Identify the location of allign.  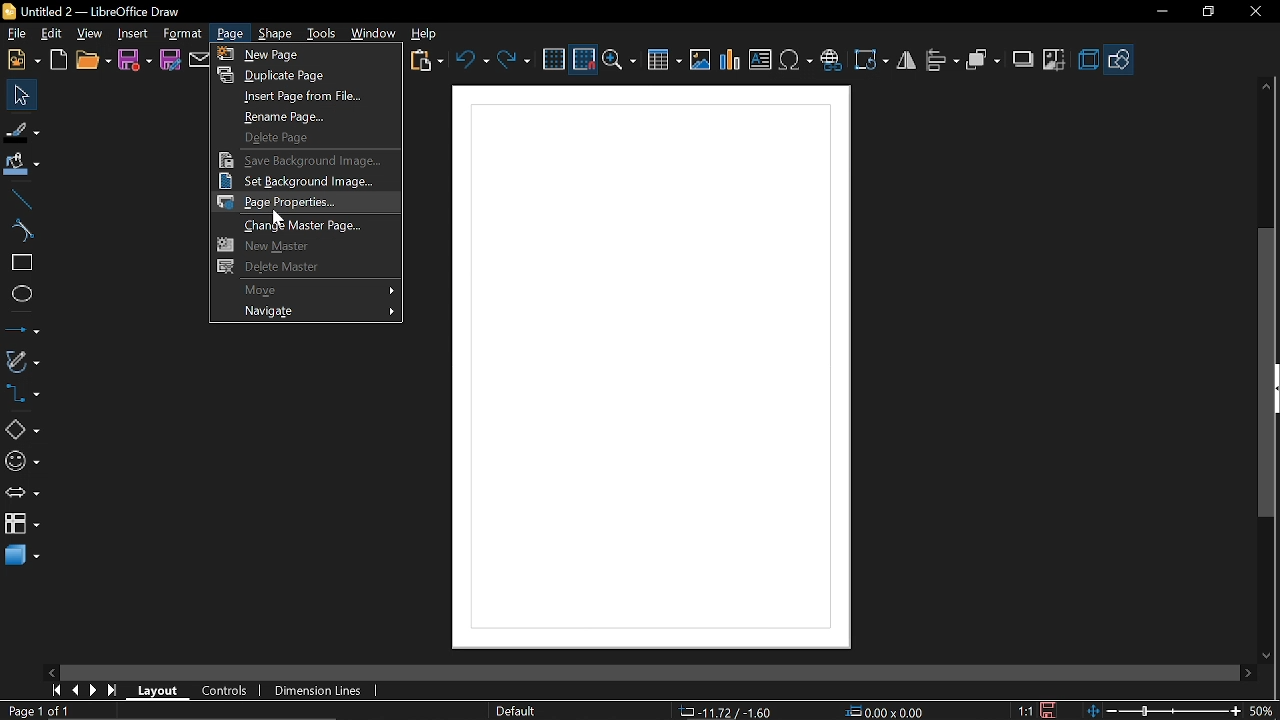
(942, 62).